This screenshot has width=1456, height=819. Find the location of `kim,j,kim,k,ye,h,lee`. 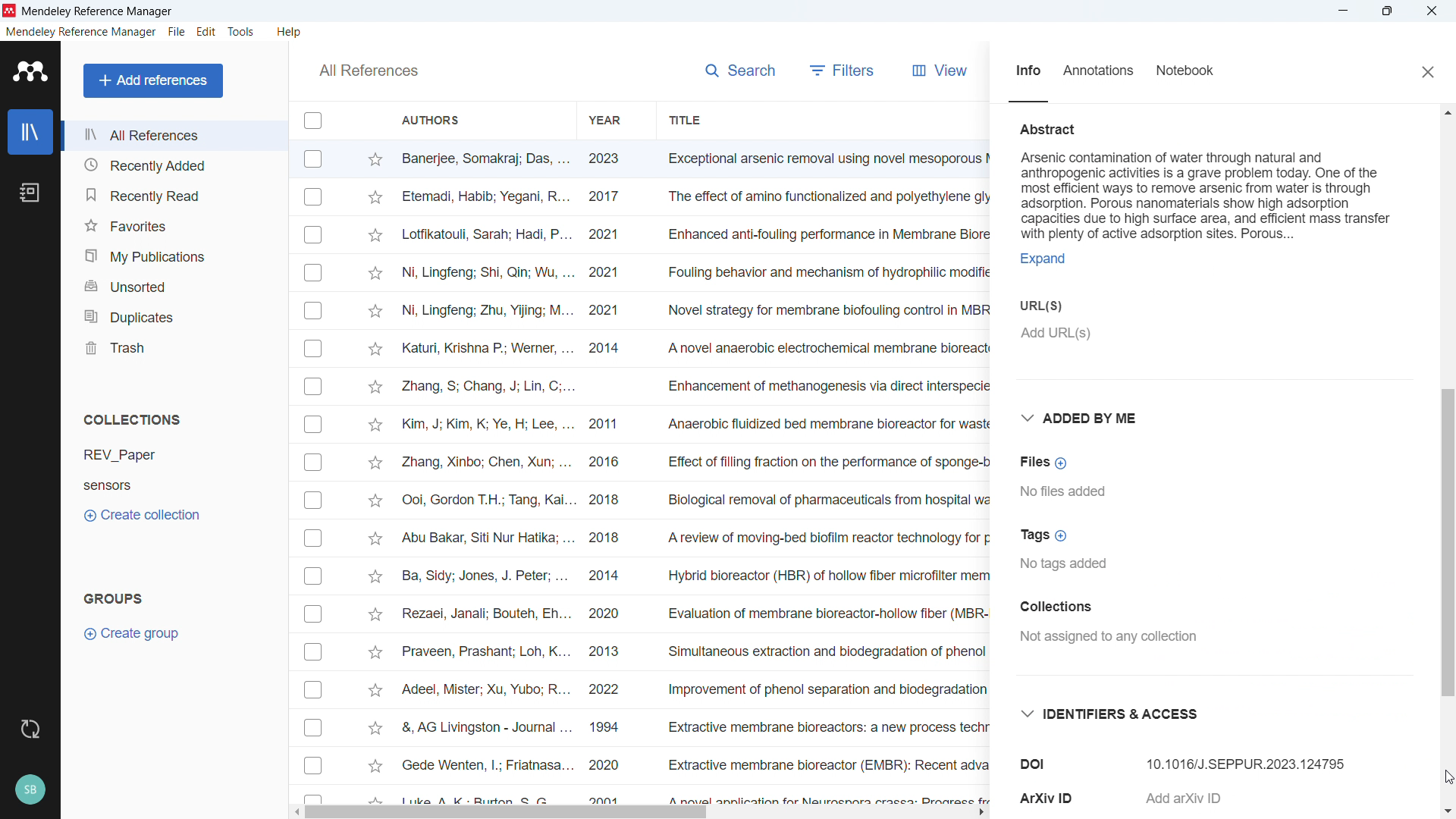

kim,j,kim,k,ye,h,lee is located at coordinates (485, 425).